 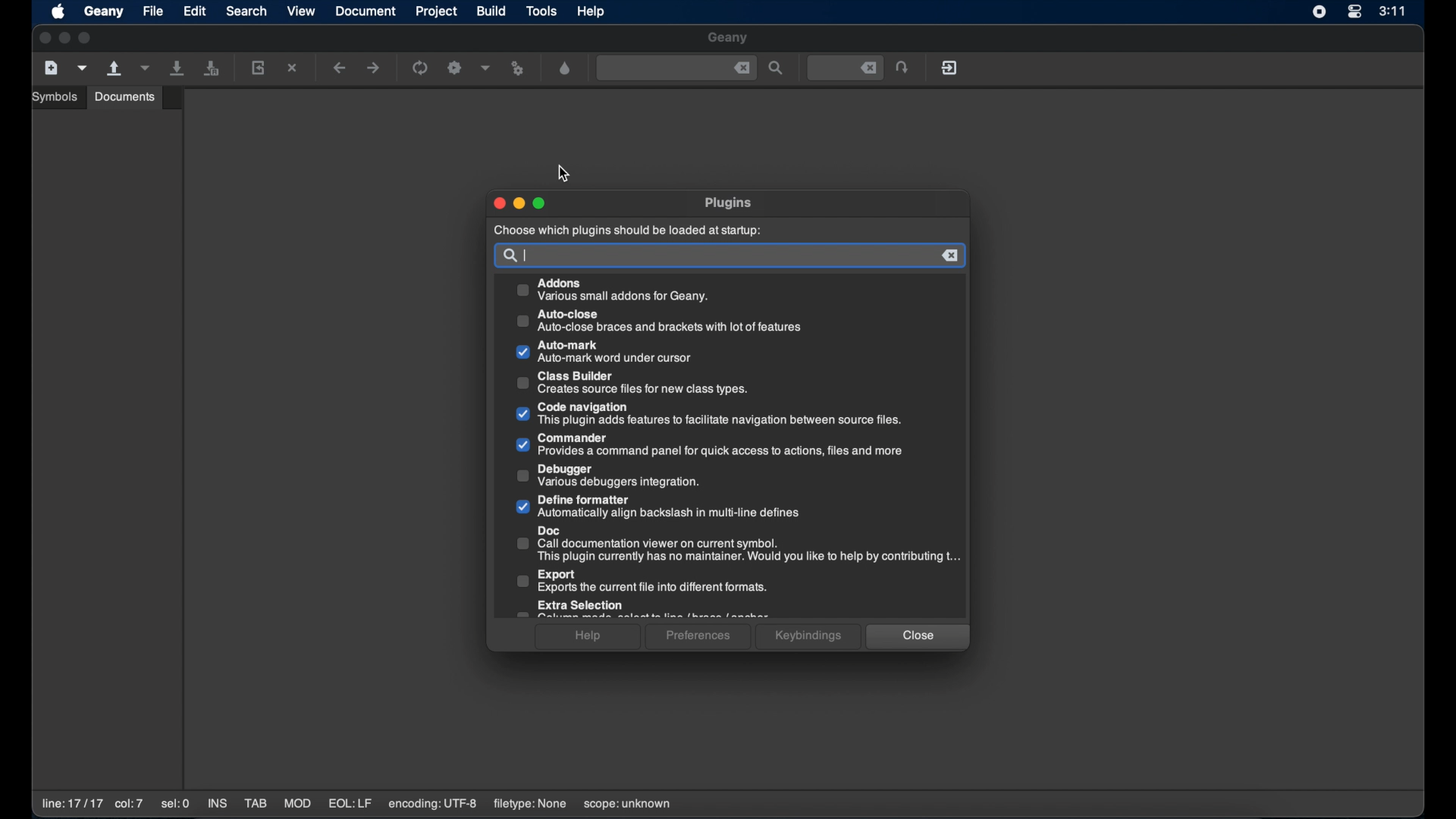 I want to click on create a new file, so click(x=52, y=68).